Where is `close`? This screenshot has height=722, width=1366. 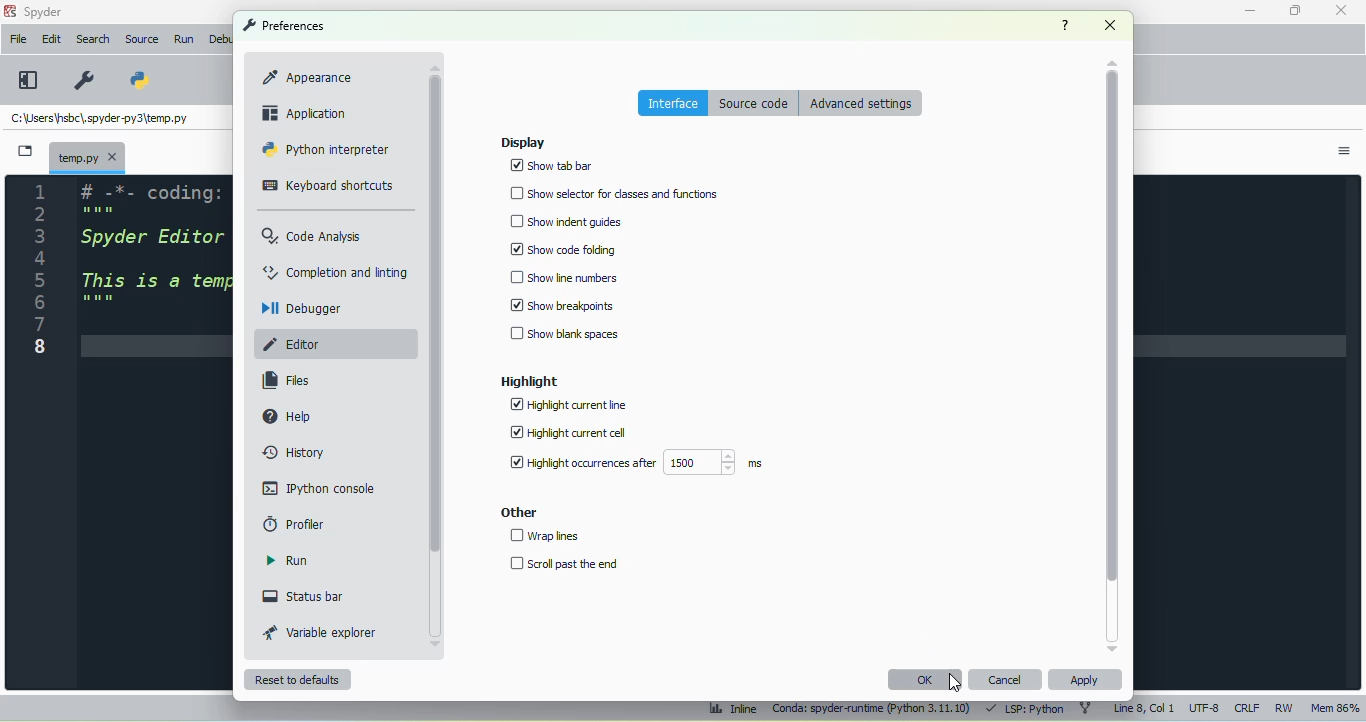
close is located at coordinates (1340, 9).